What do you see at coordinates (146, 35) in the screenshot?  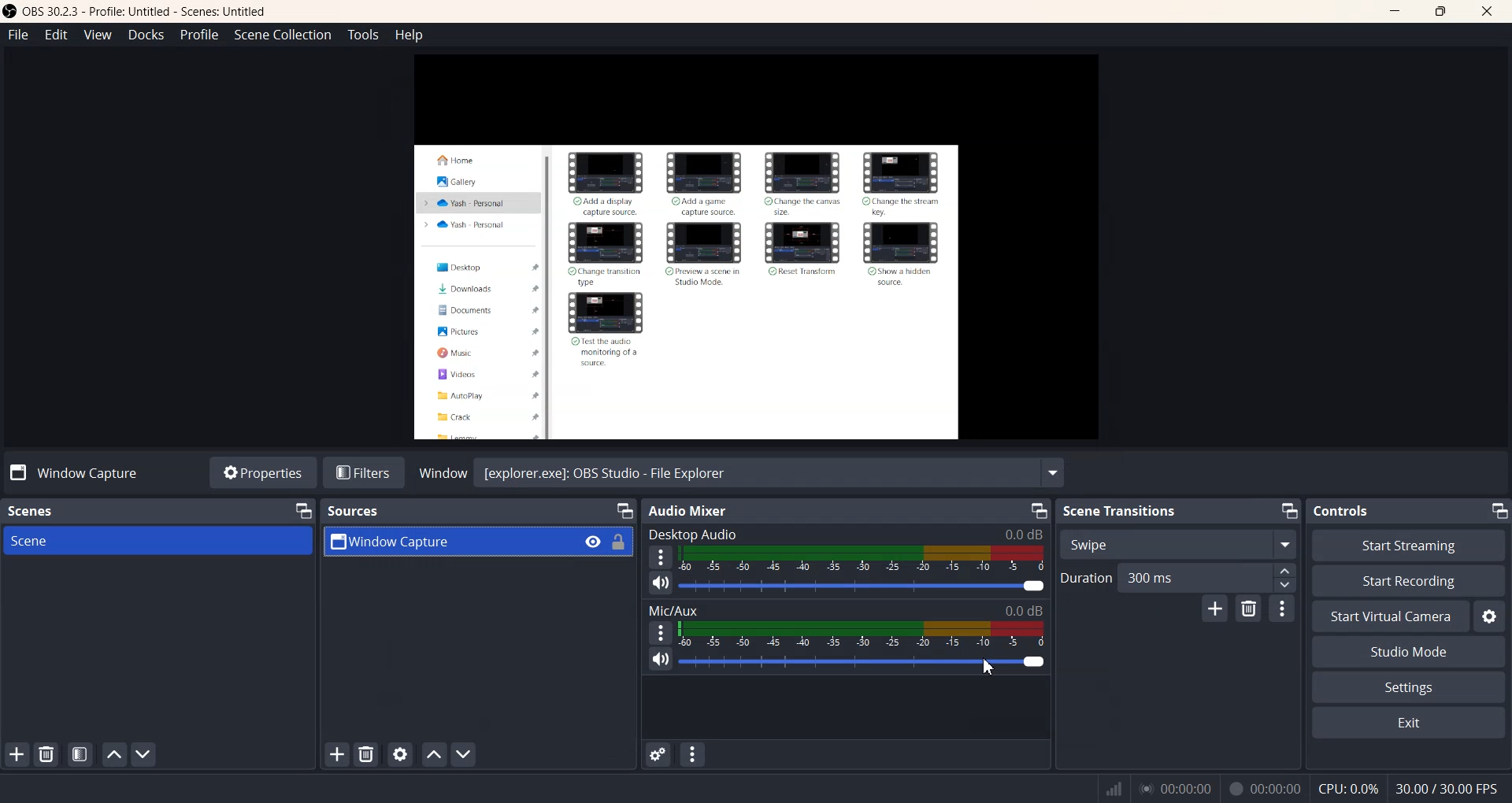 I see `Docks` at bounding box center [146, 35].